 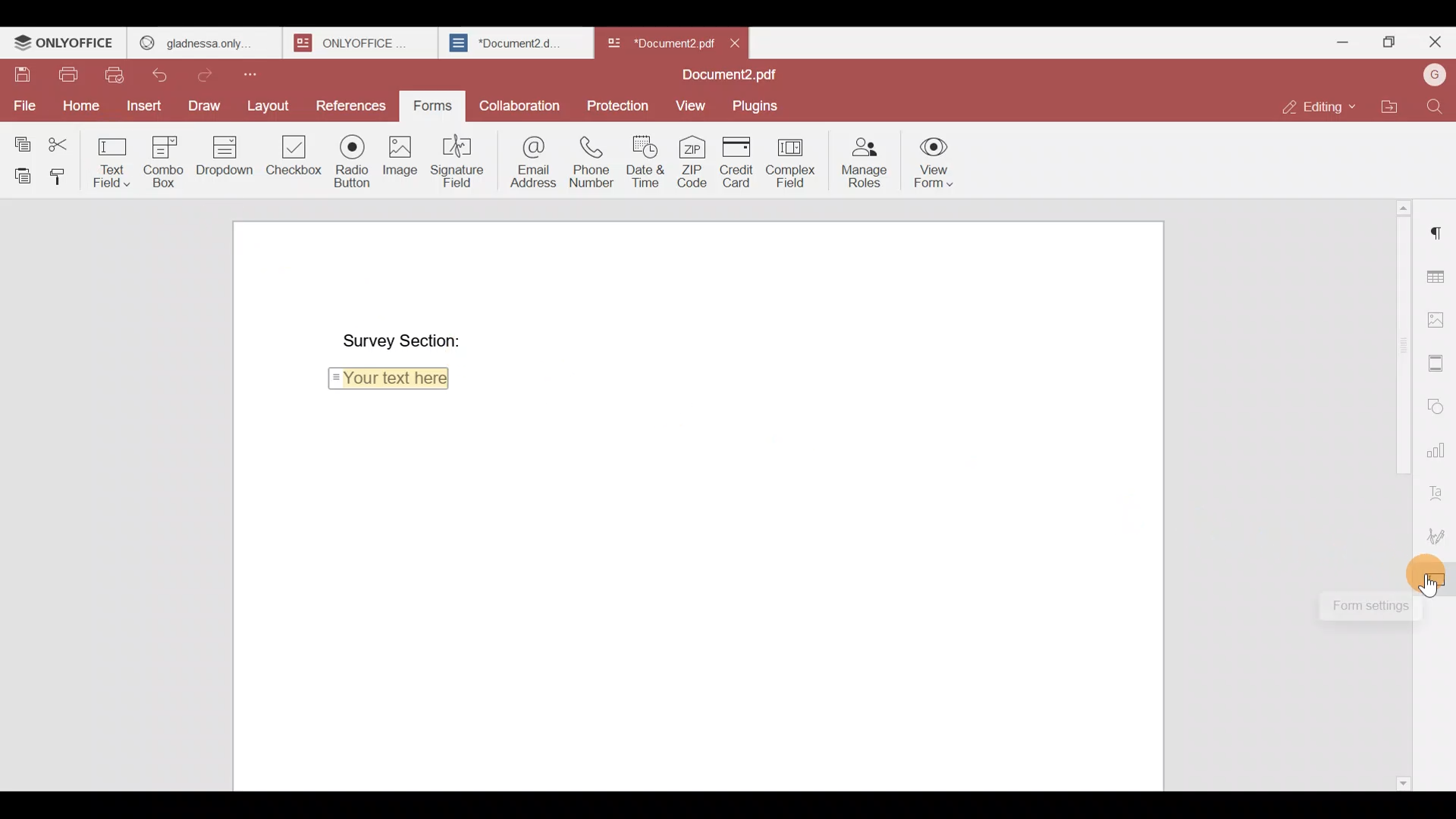 What do you see at coordinates (350, 102) in the screenshot?
I see `References` at bounding box center [350, 102].